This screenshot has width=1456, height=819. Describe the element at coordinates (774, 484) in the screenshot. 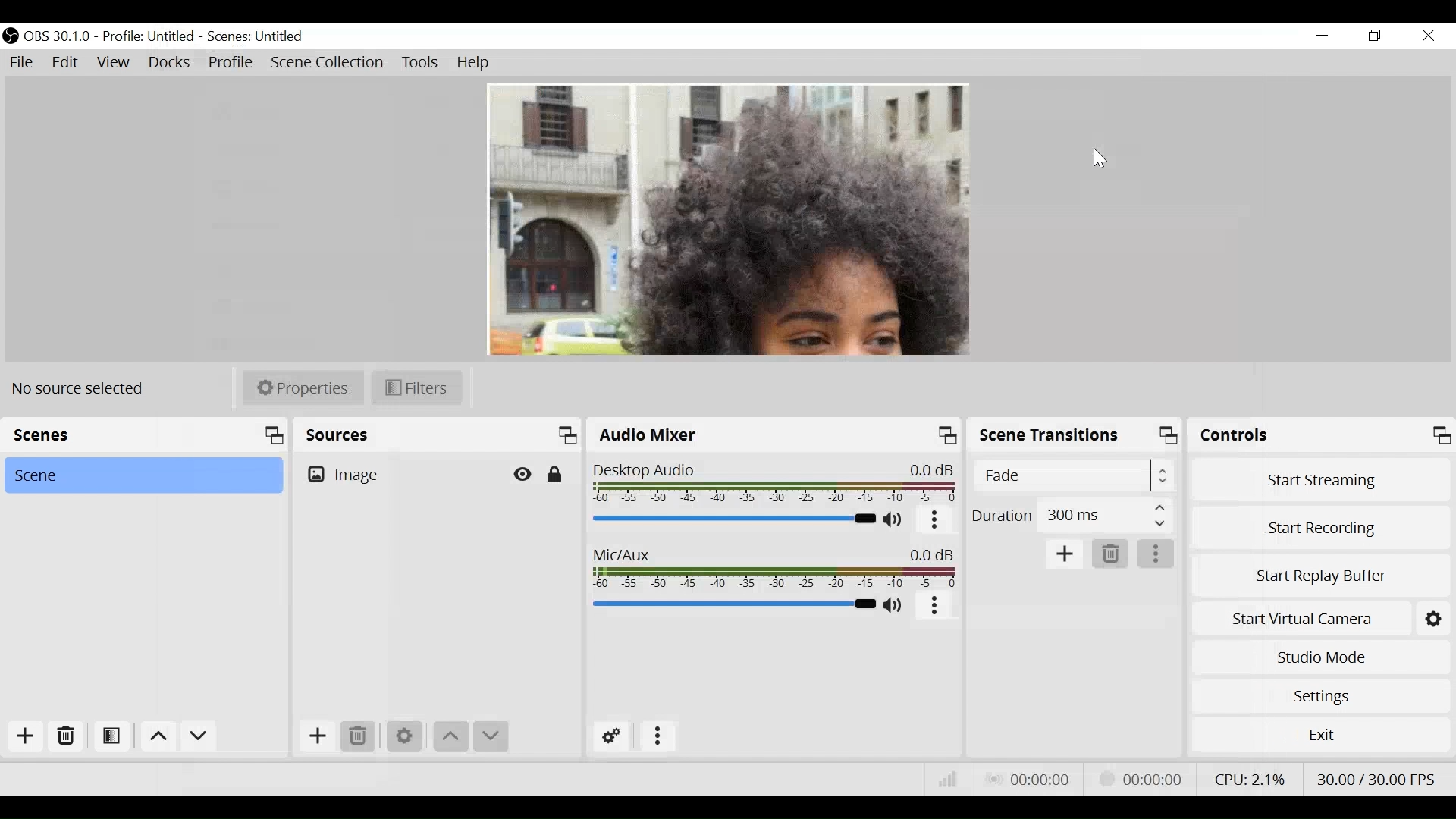

I see `Desktop Audio` at that location.